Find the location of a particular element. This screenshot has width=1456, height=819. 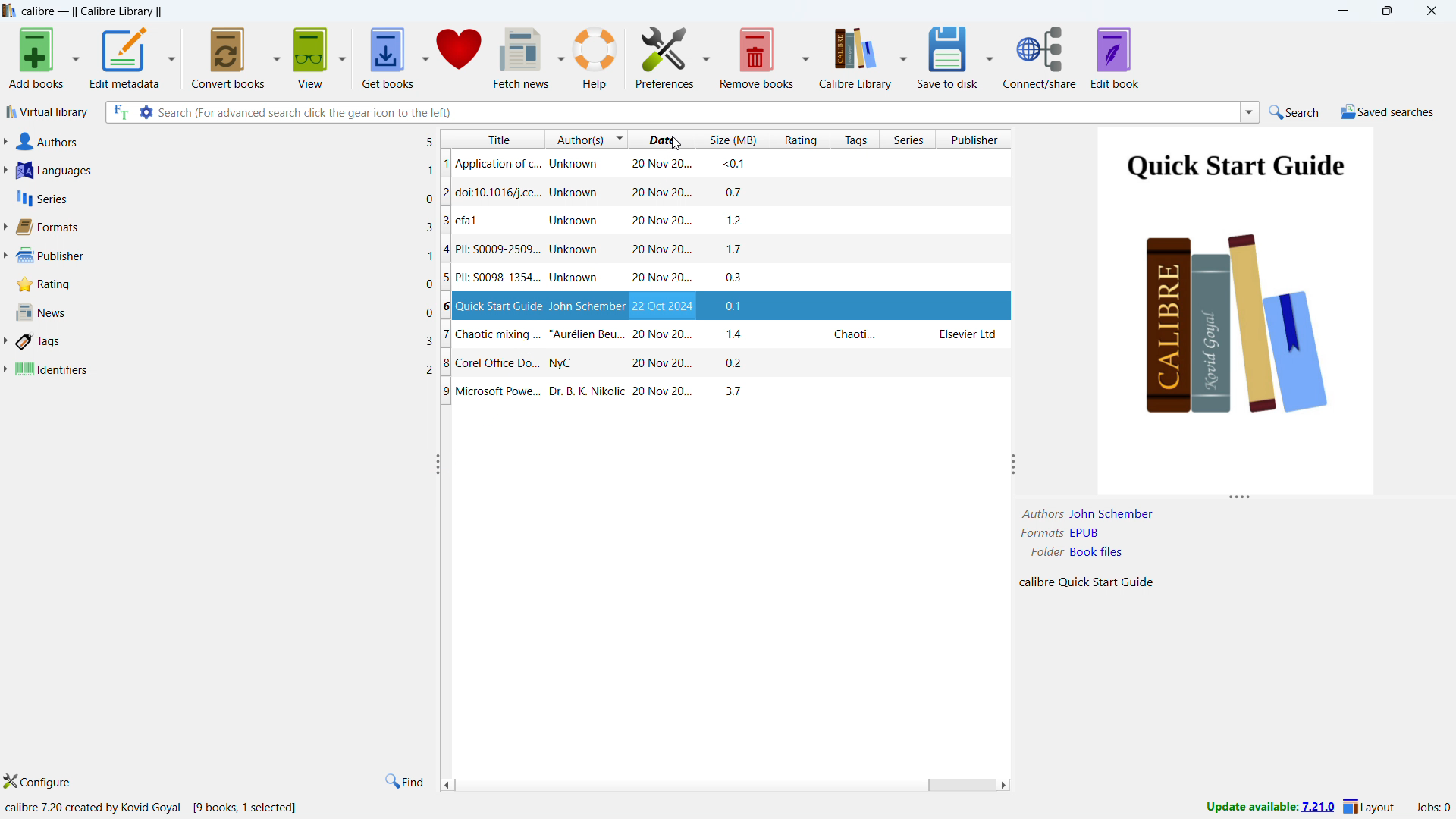

series is located at coordinates (909, 140).